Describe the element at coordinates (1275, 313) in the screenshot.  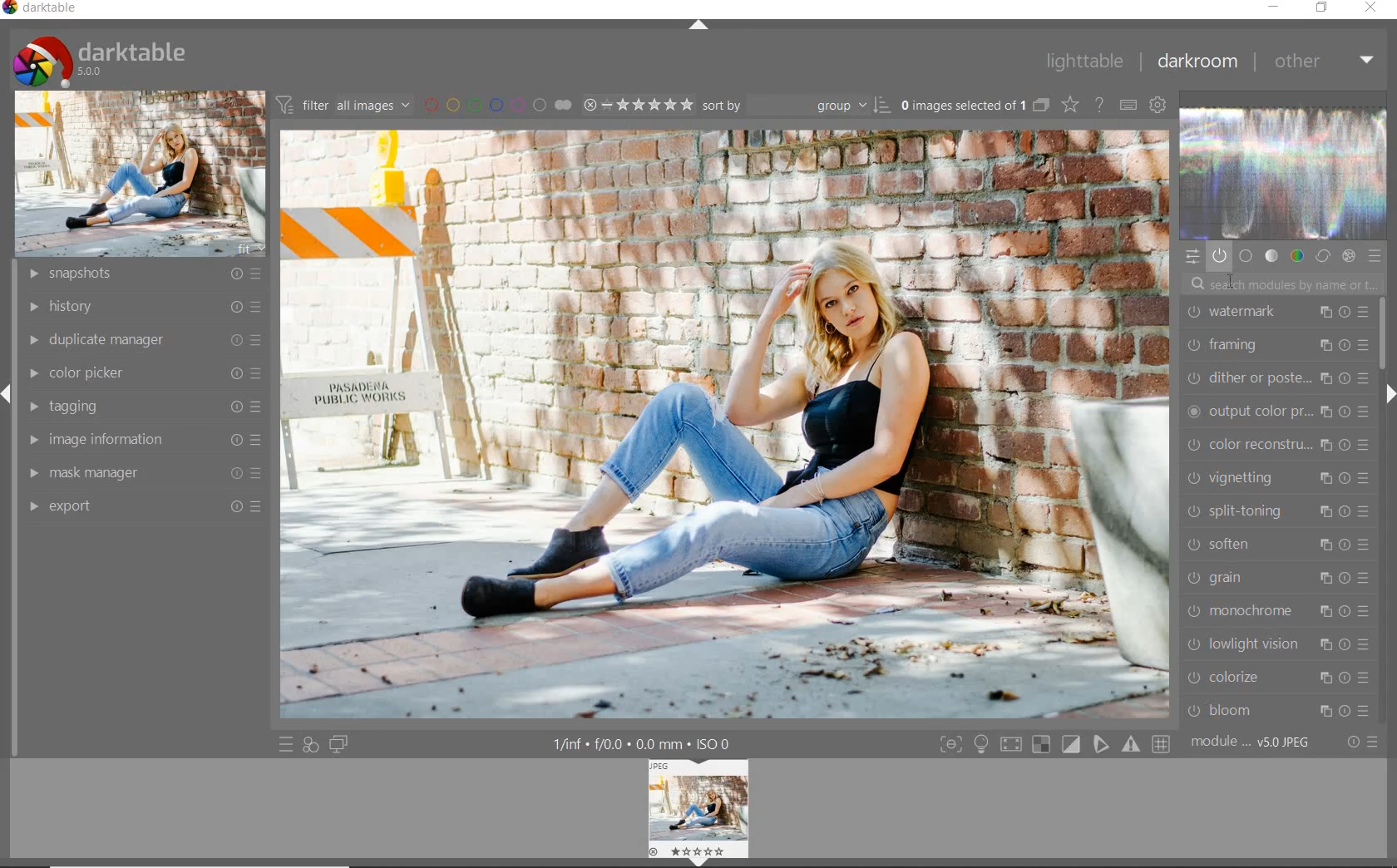
I see `watermark` at that location.